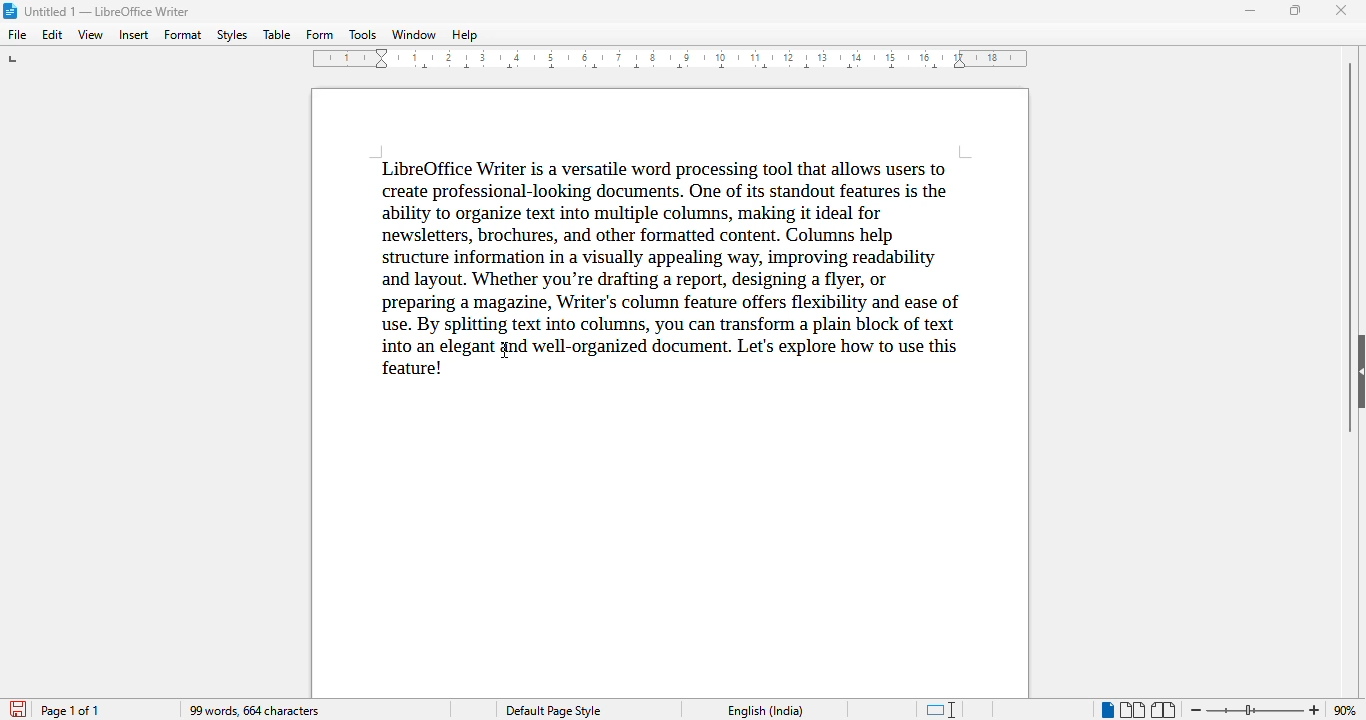  What do you see at coordinates (11, 11) in the screenshot?
I see `LibreOffice logo` at bounding box center [11, 11].